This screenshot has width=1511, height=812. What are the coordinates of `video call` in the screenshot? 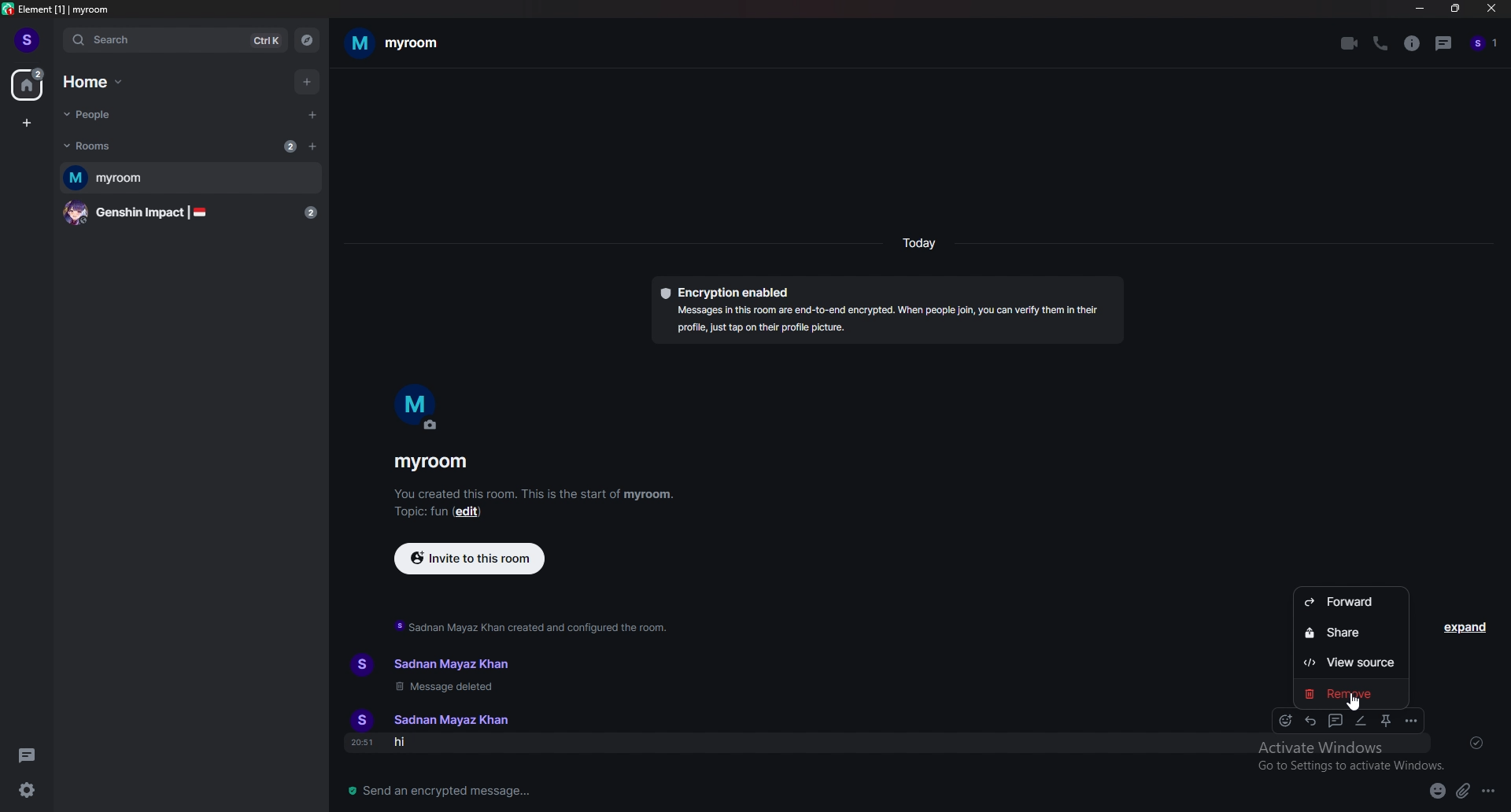 It's located at (1350, 43).